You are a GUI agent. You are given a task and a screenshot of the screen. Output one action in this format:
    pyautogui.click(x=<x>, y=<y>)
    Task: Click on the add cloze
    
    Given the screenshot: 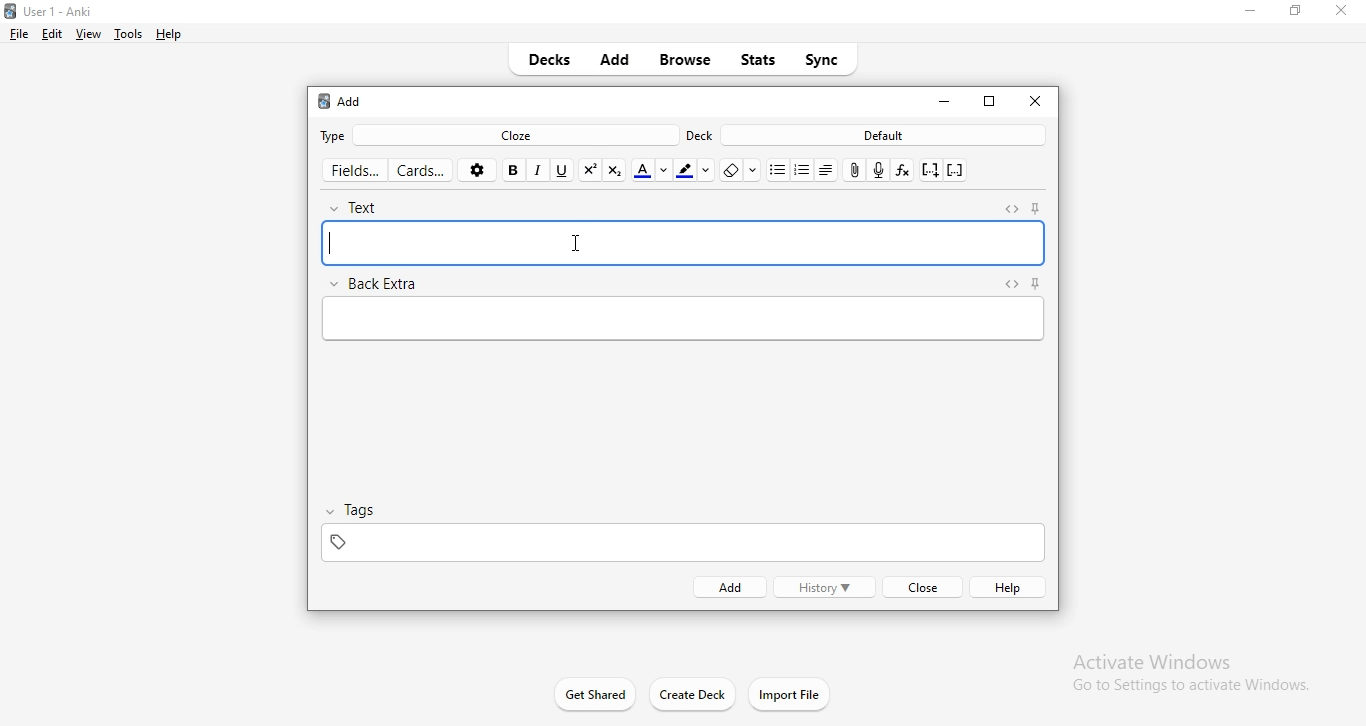 What is the action you would take?
    pyautogui.click(x=928, y=172)
    